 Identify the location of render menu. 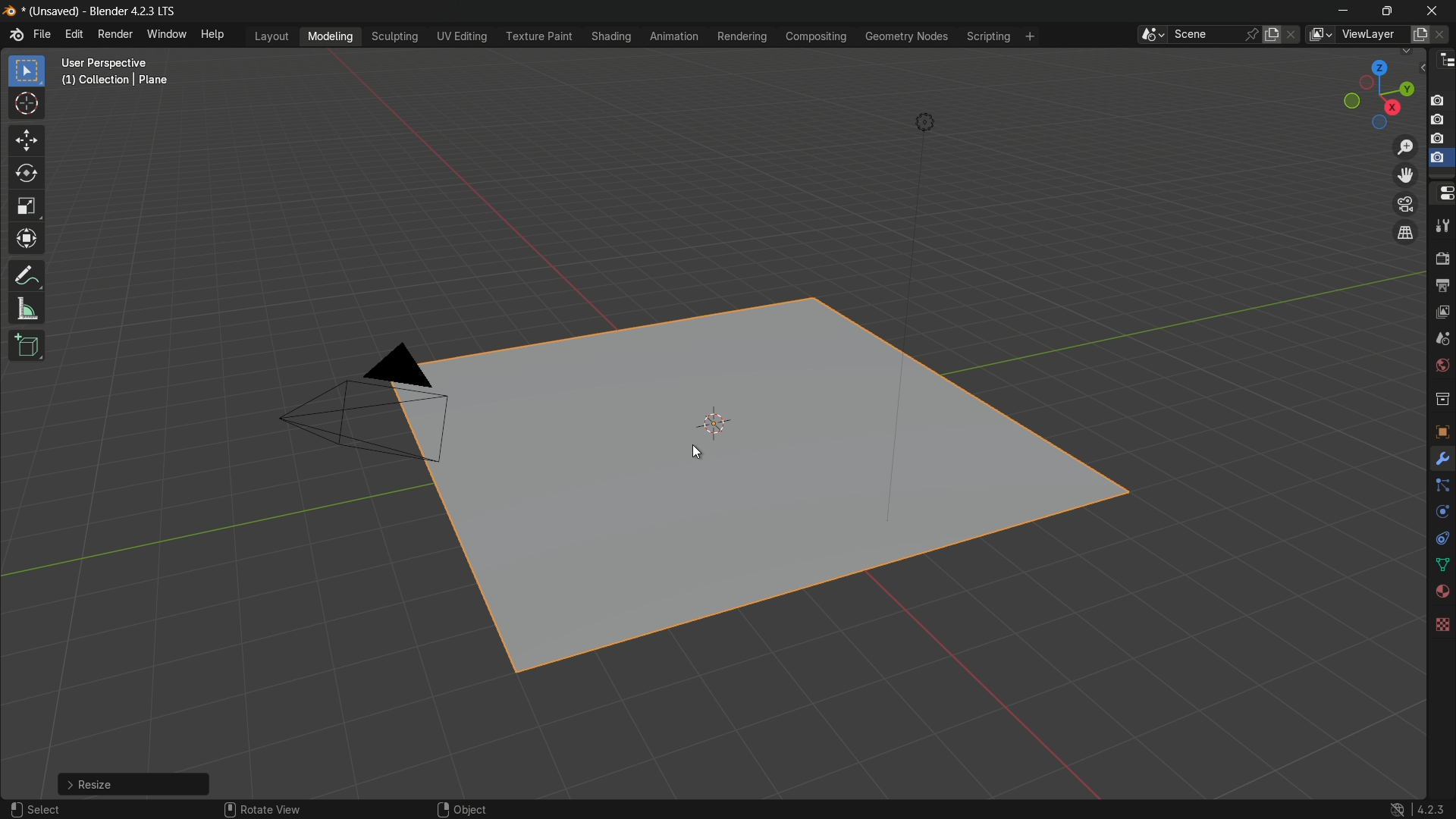
(117, 36).